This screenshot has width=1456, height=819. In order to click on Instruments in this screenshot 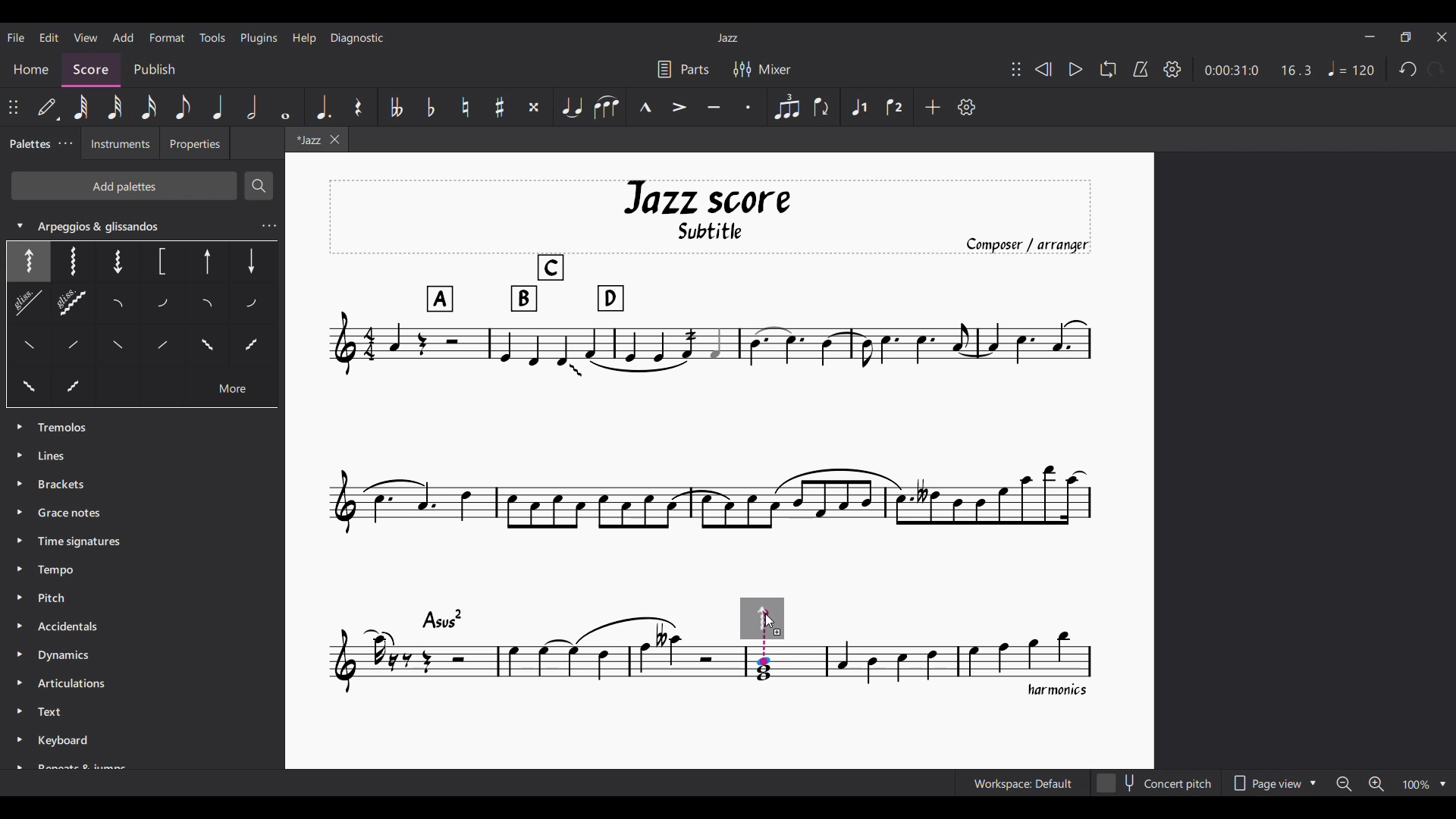, I will do `click(118, 145)`.